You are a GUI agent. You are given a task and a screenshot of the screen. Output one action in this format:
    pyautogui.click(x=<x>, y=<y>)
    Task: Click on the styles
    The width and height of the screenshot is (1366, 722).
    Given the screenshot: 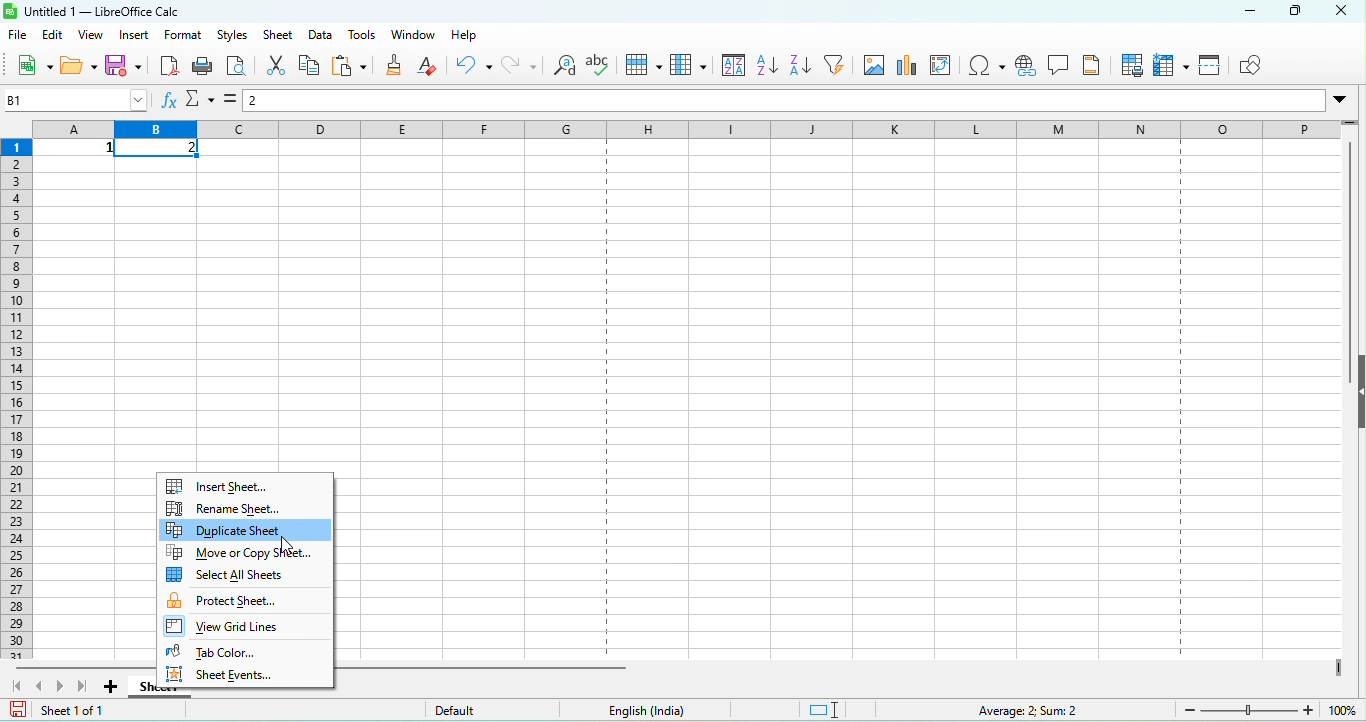 What is the action you would take?
    pyautogui.click(x=229, y=35)
    